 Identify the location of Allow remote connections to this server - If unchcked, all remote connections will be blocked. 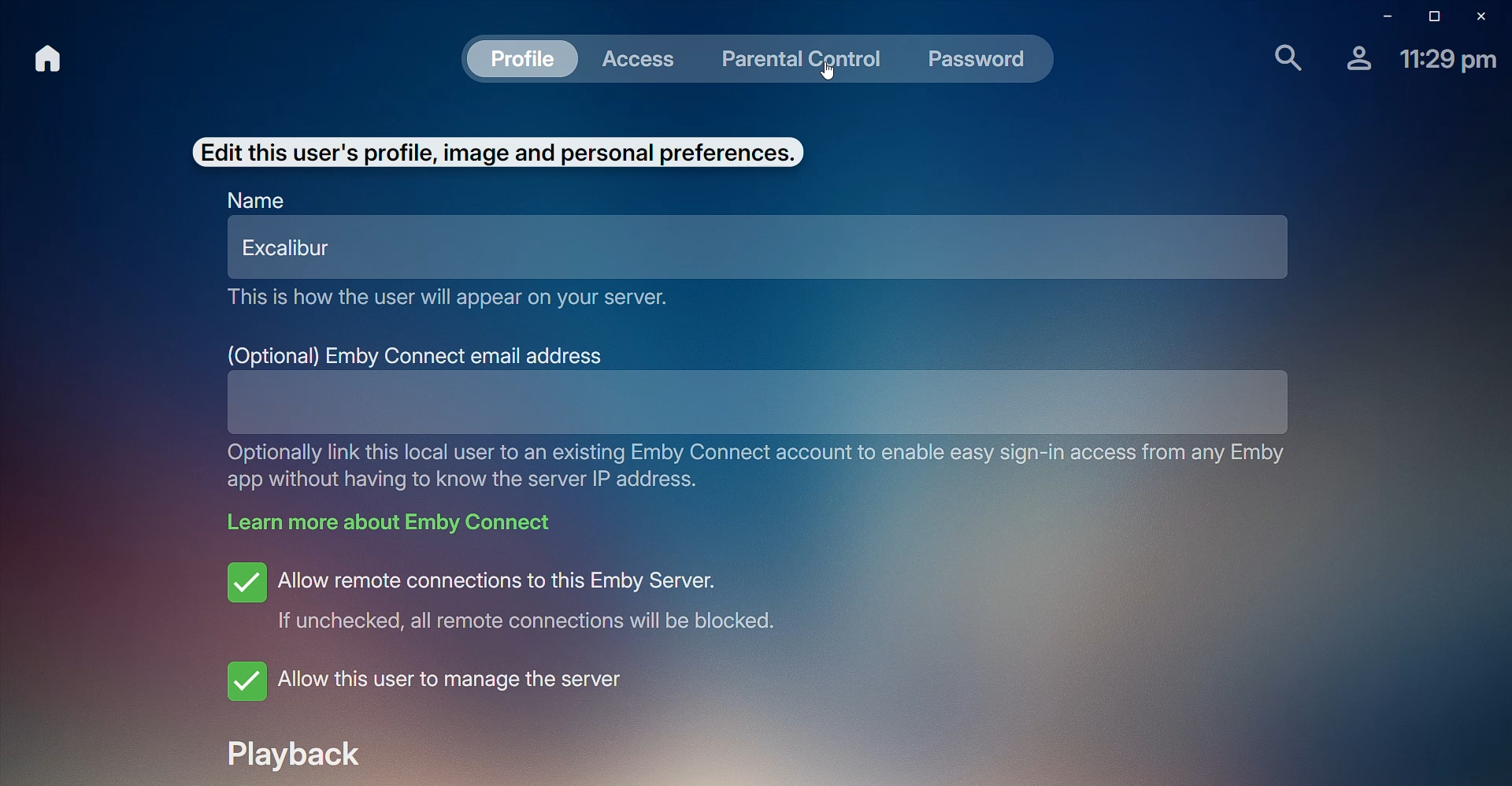
(538, 598).